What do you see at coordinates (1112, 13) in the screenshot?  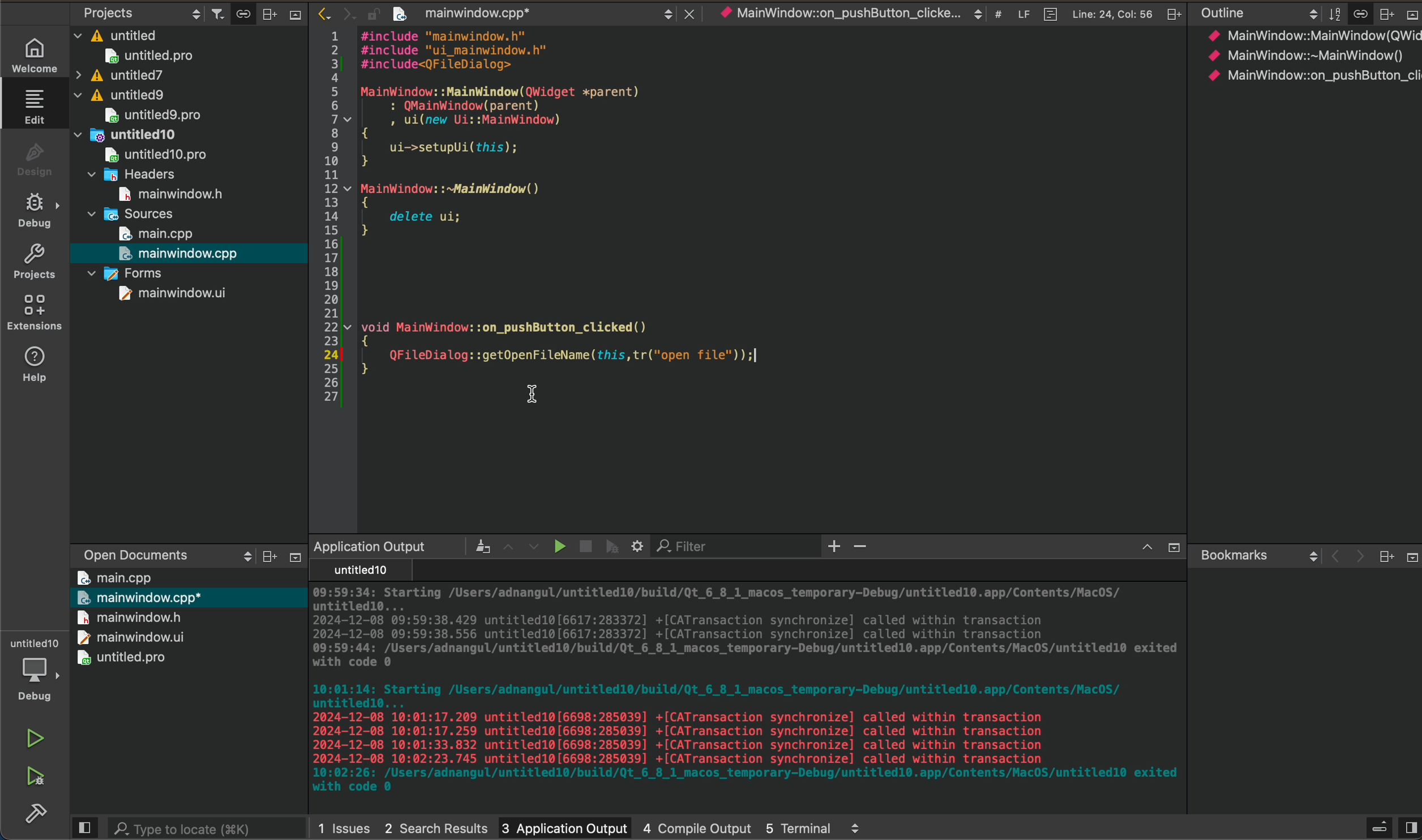 I see `Line: 24, Col: 5` at bounding box center [1112, 13].